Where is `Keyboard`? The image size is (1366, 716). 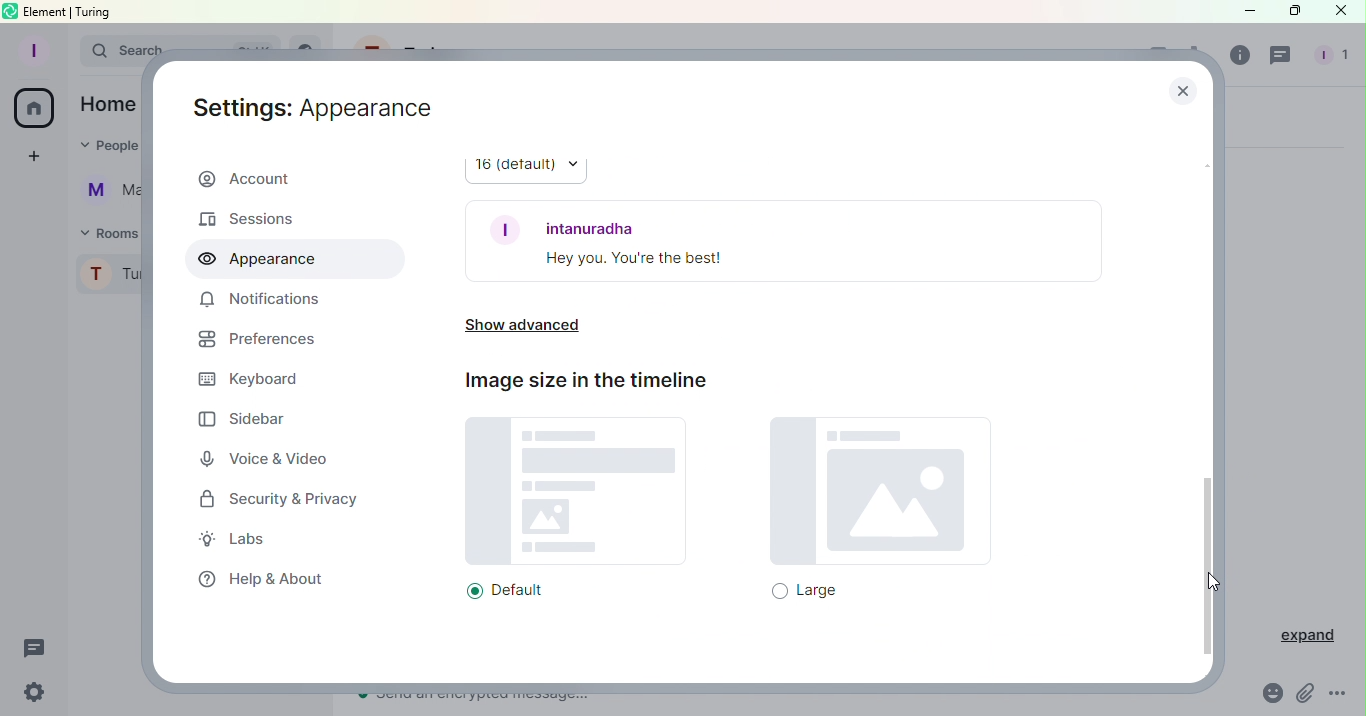 Keyboard is located at coordinates (266, 380).